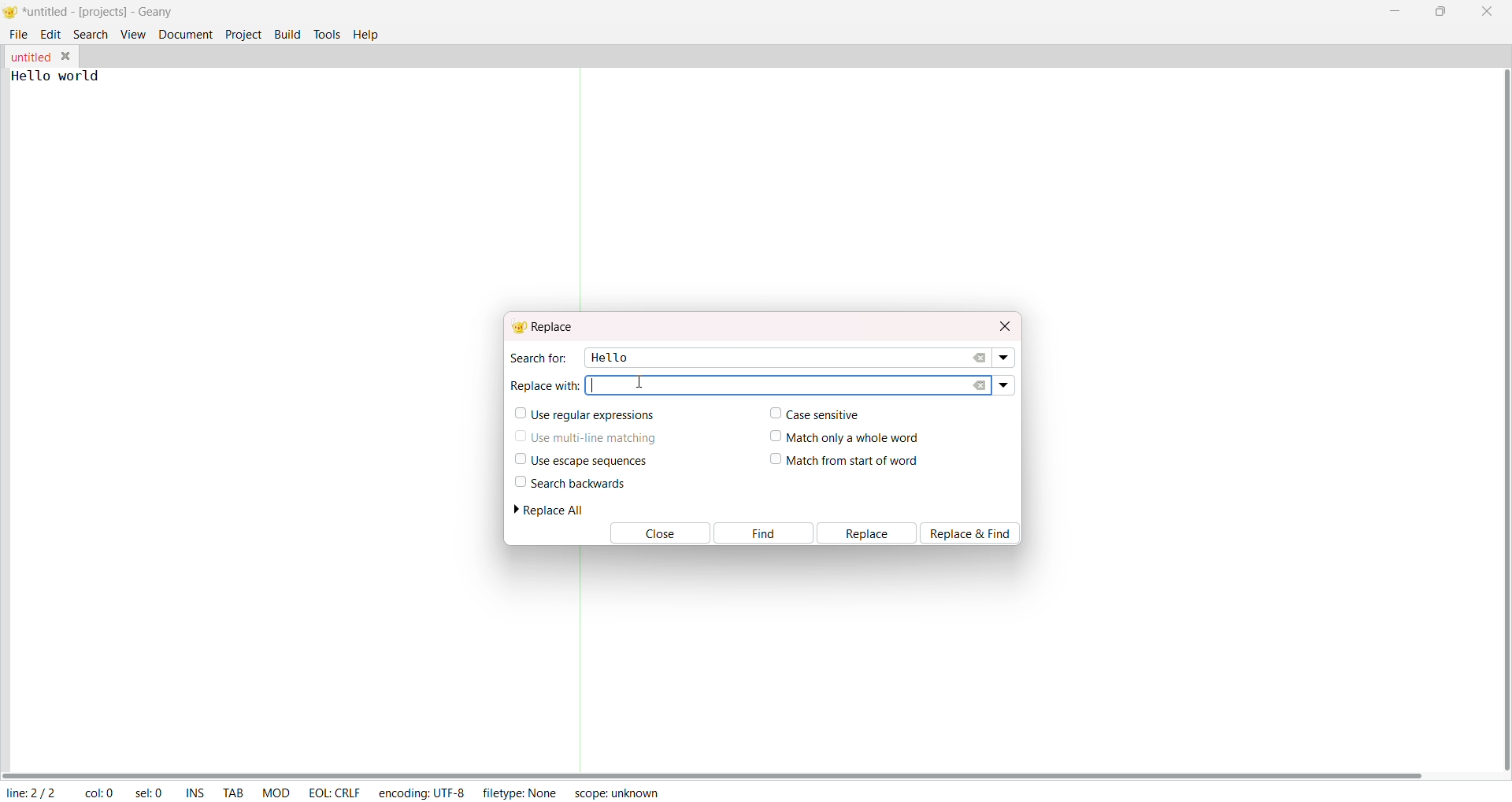 This screenshot has width=1512, height=802. Describe the element at coordinates (68, 76) in the screenshot. I see `Hello world` at that location.